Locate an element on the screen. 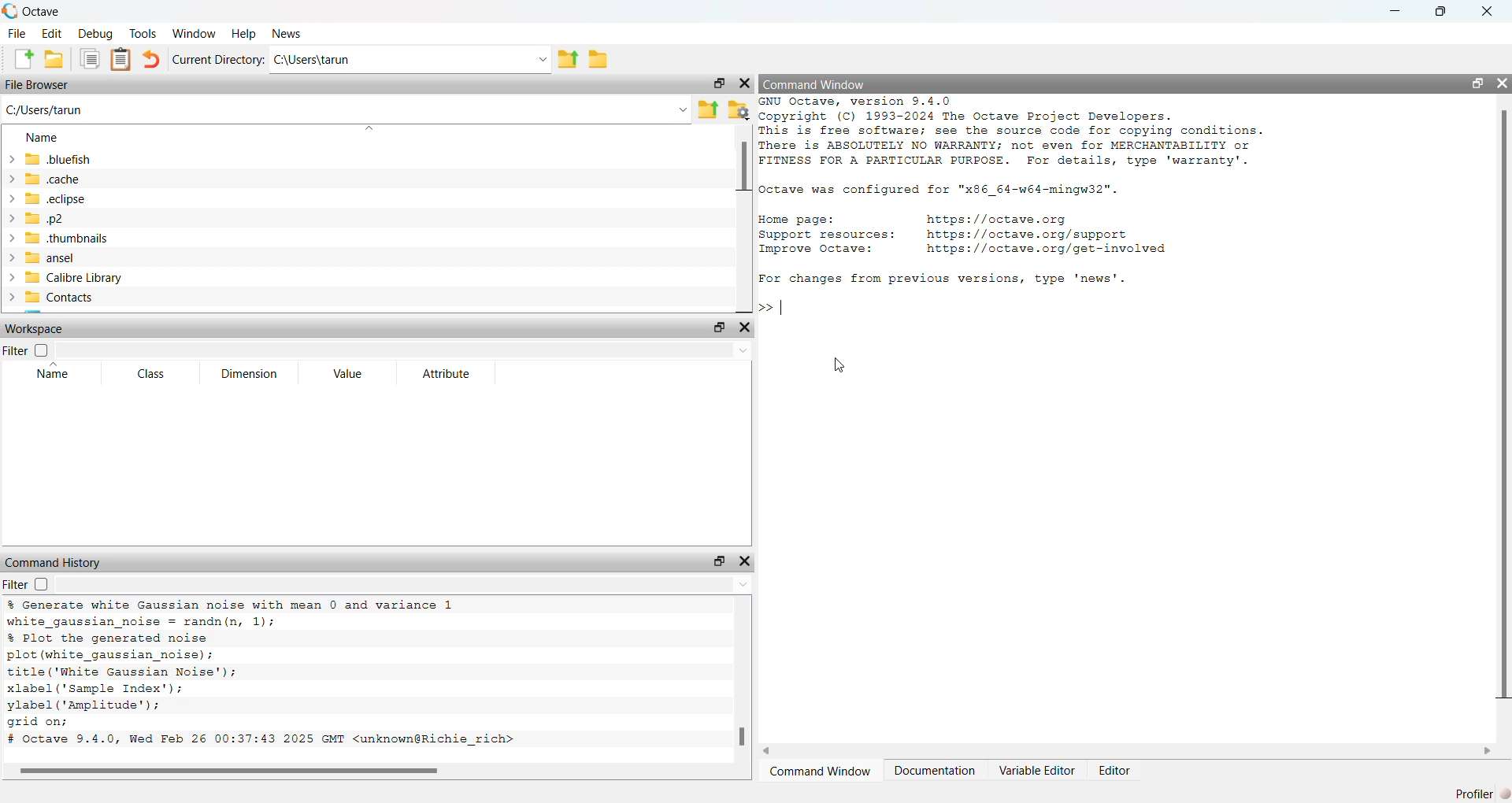 Image resolution: width=1512 pixels, height=803 pixels. document clipboard is located at coordinates (120, 59).